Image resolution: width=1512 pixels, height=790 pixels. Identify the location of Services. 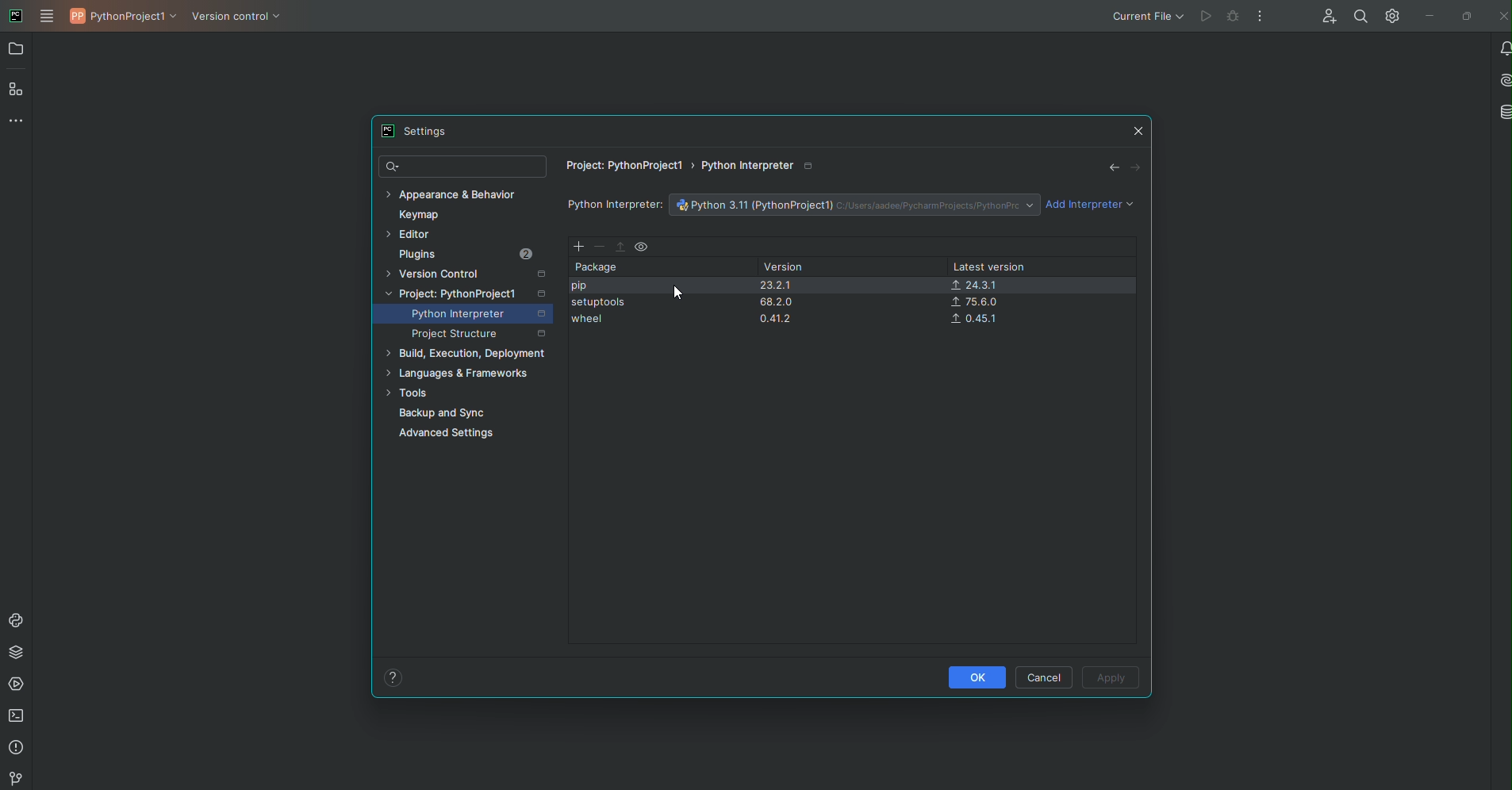
(17, 686).